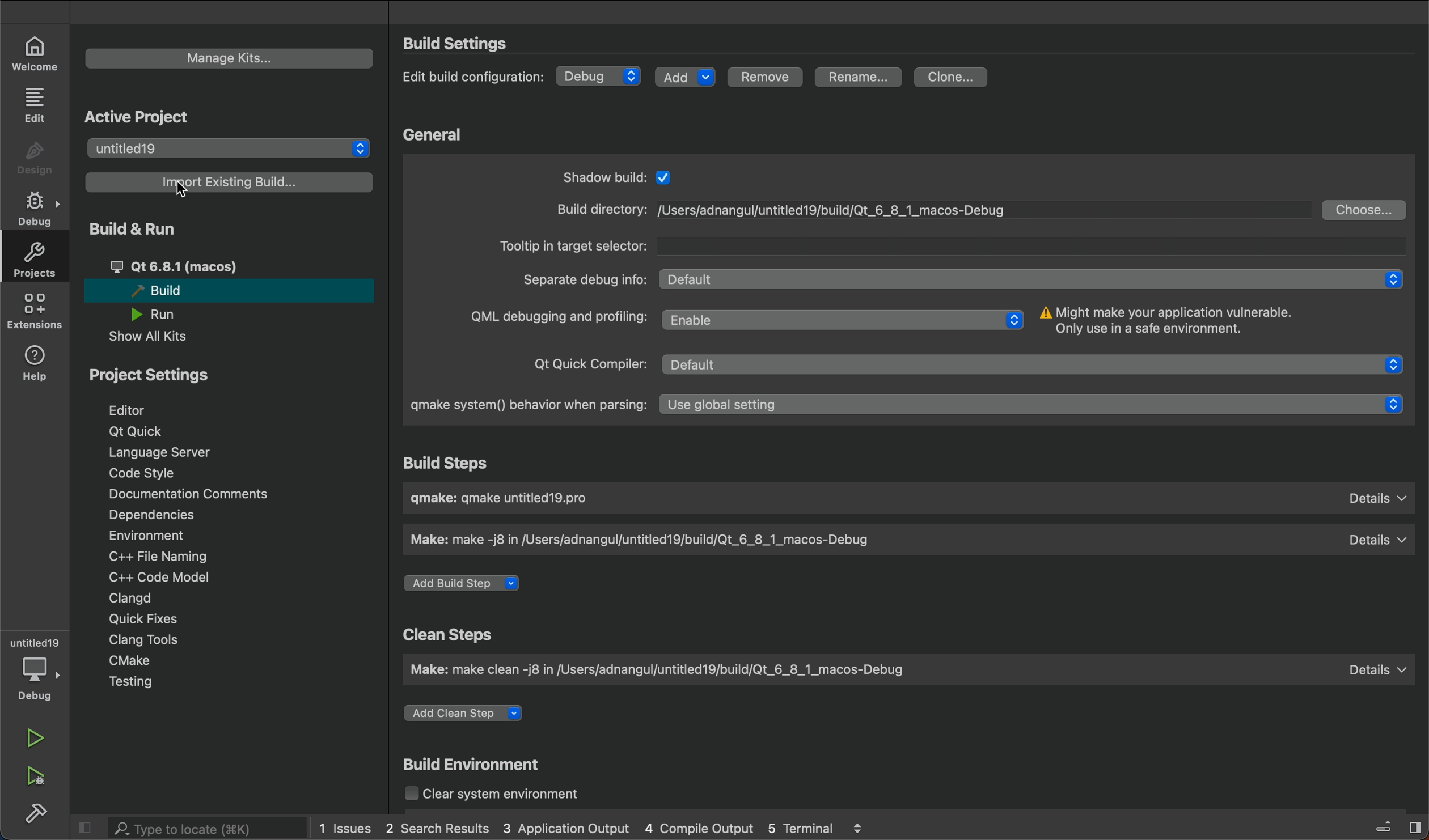  Describe the element at coordinates (200, 266) in the screenshot. I see `qt` at that location.